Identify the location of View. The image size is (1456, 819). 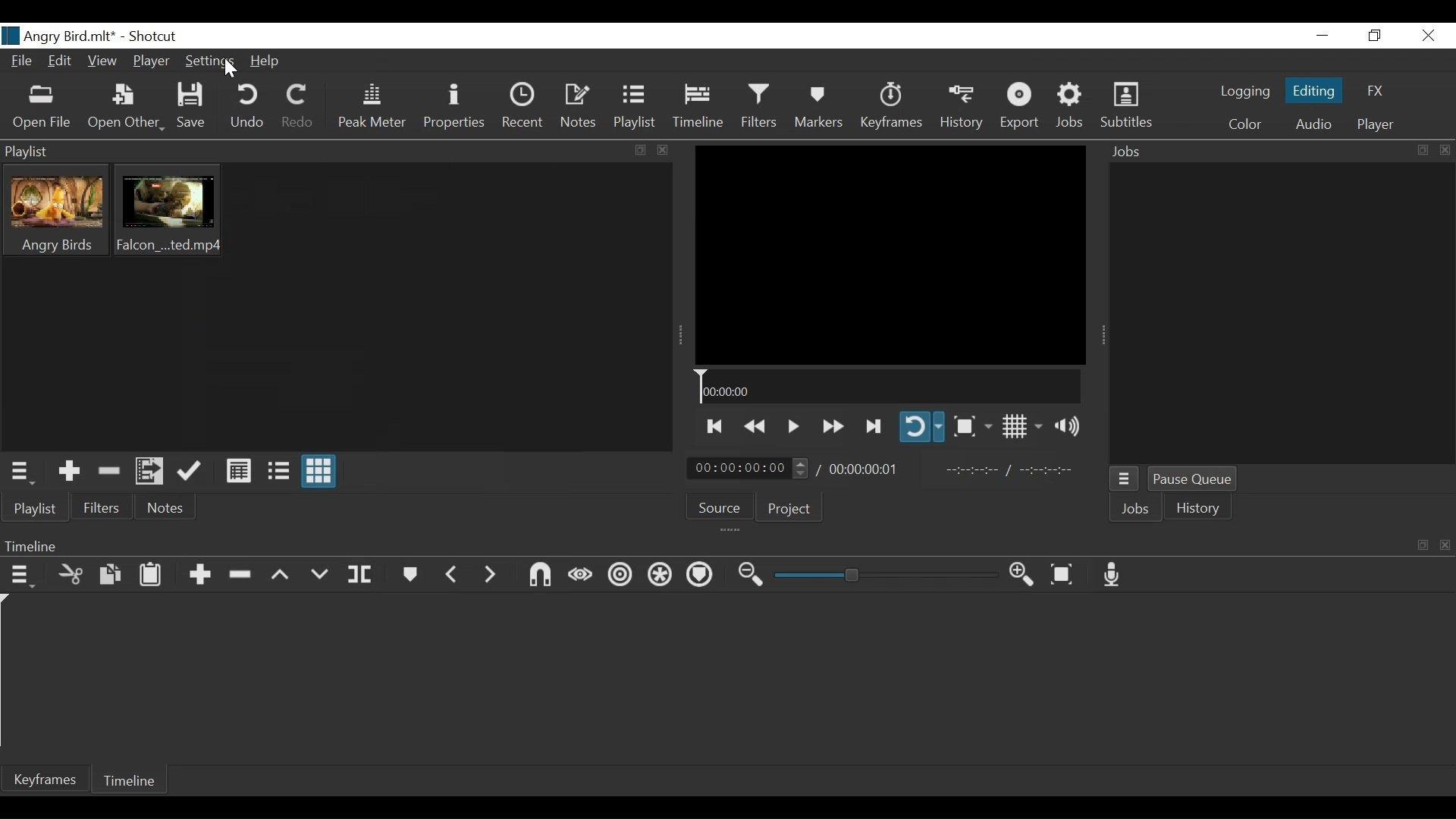
(102, 61).